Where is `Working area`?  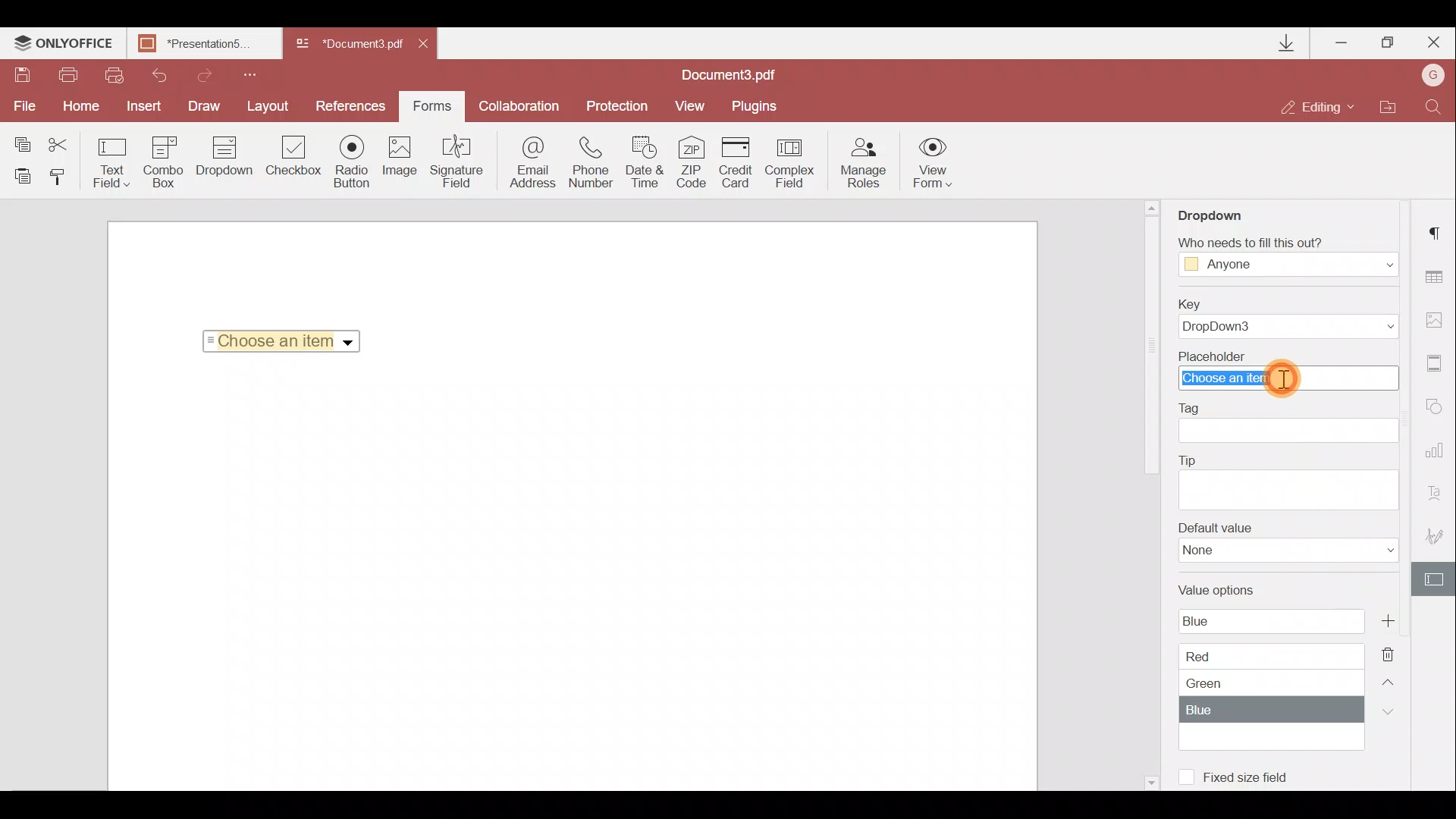 Working area is located at coordinates (570, 579).